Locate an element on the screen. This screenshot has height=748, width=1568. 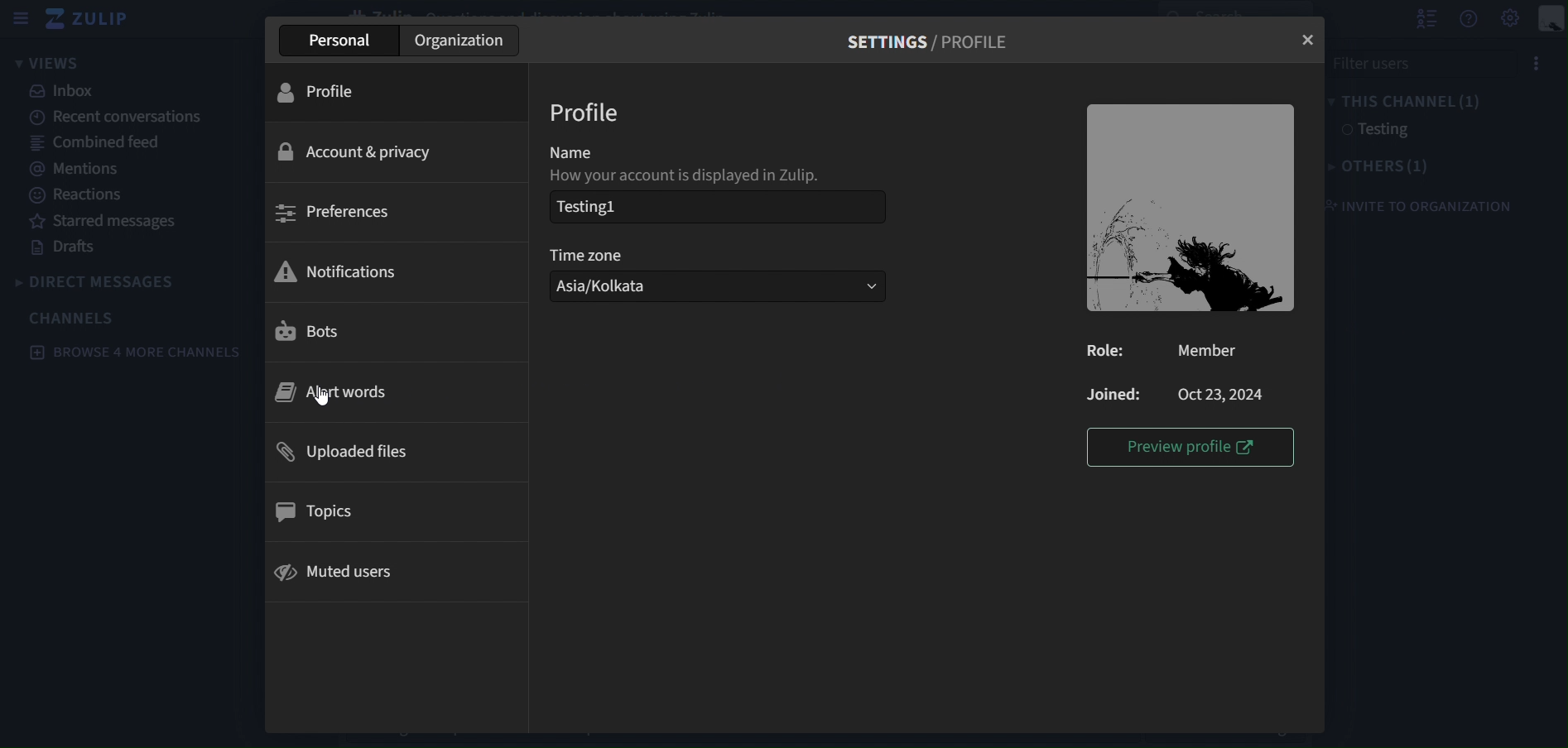
filter users is located at coordinates (1417, 63).